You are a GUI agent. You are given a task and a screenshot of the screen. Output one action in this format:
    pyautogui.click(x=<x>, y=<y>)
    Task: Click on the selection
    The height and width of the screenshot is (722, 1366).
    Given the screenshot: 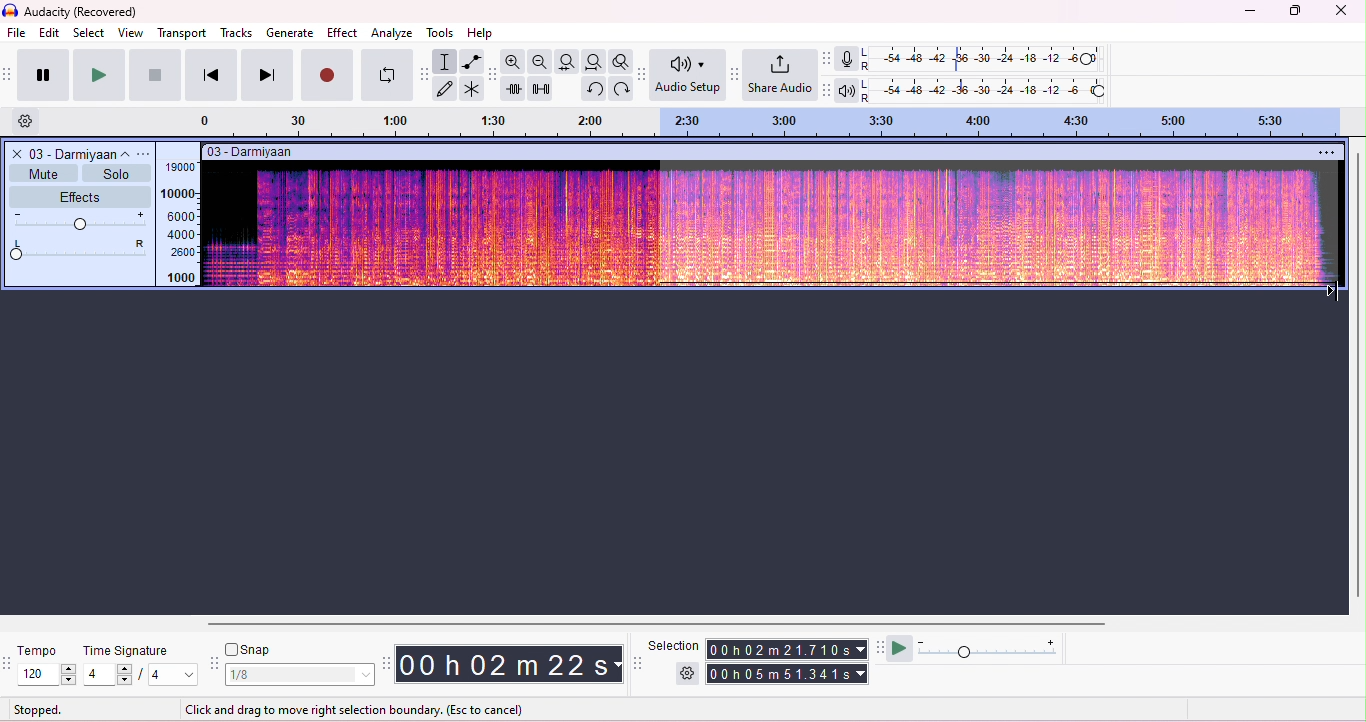 What is the action you would take?
    pyautogui.click(x=446, y=61)
    